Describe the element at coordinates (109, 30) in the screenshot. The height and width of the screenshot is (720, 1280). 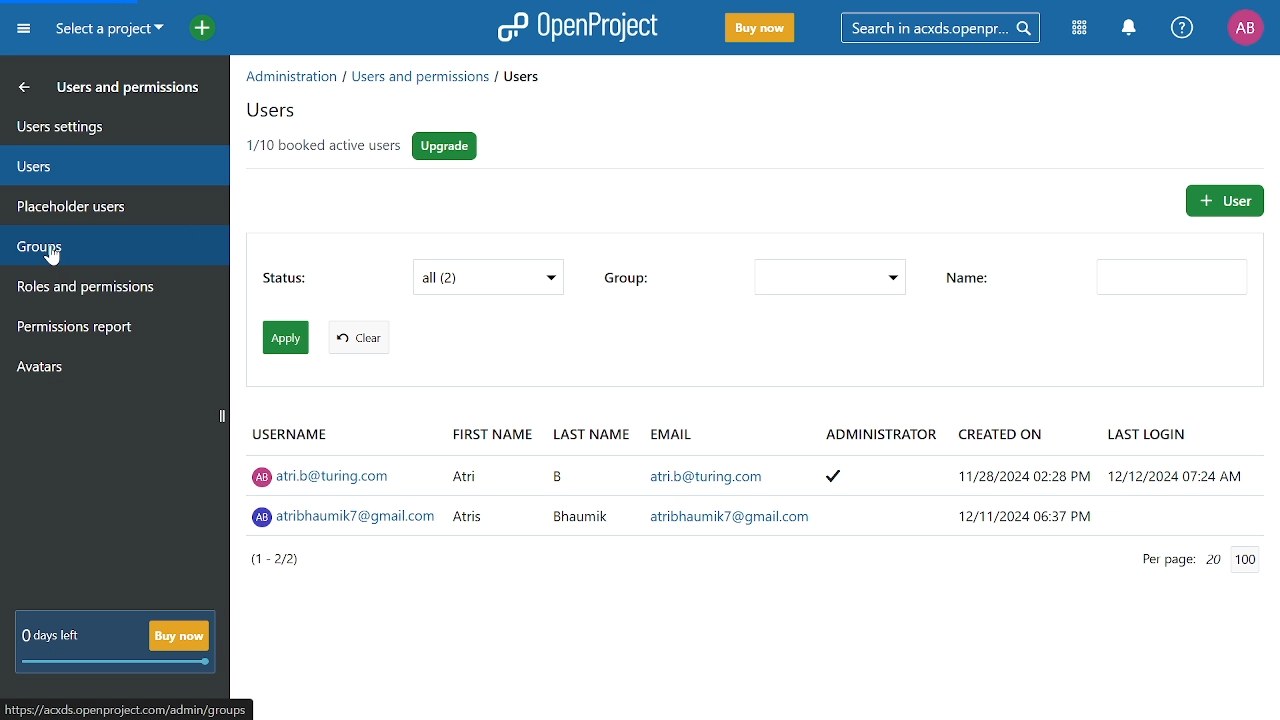
I see `Current project` at that location.